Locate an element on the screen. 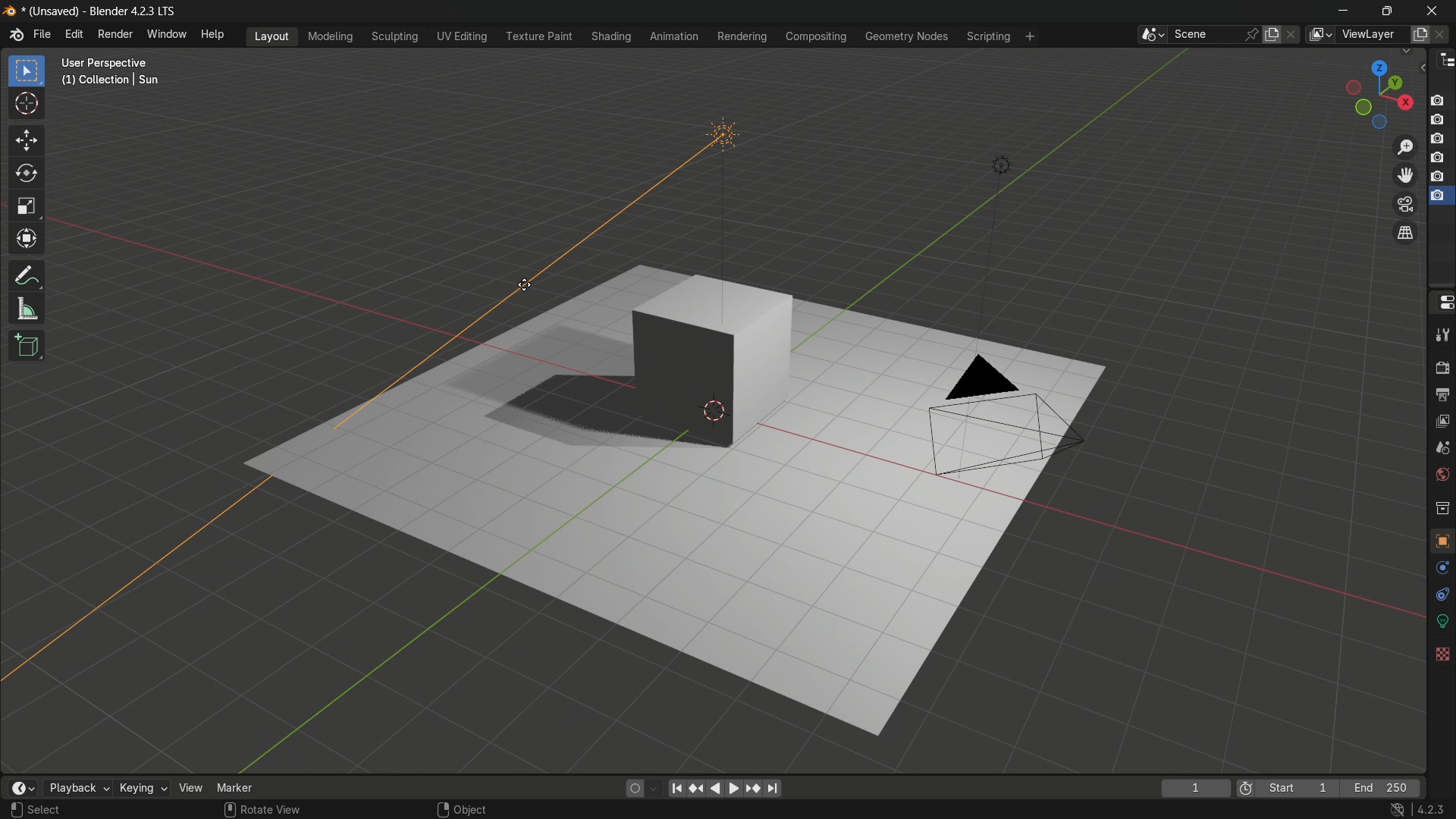 Image resolution: width=1456 pixels, height=819 pixels. marker is located at coordinates (239, 787).